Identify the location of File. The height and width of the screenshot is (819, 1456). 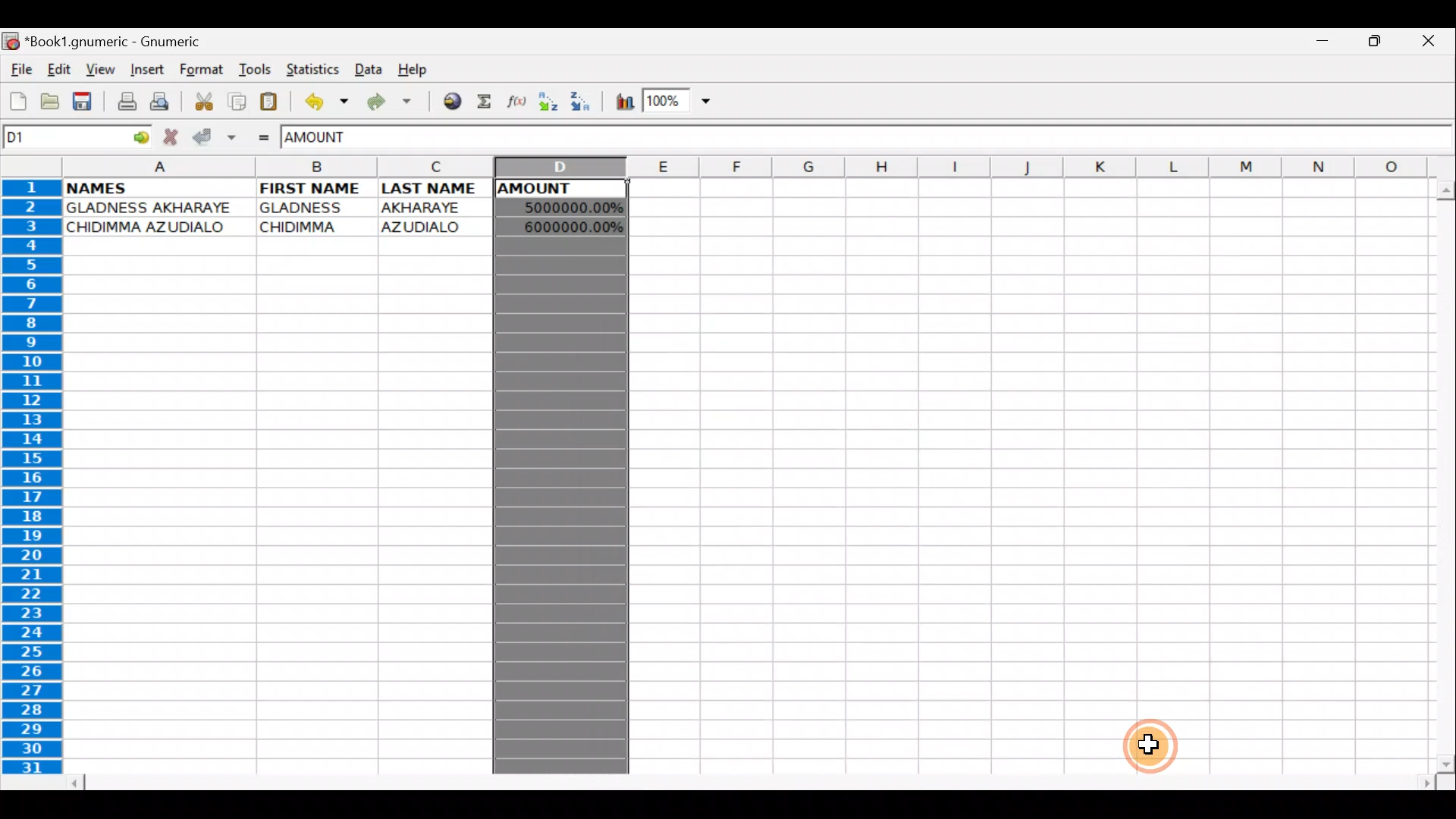
(20, 71).